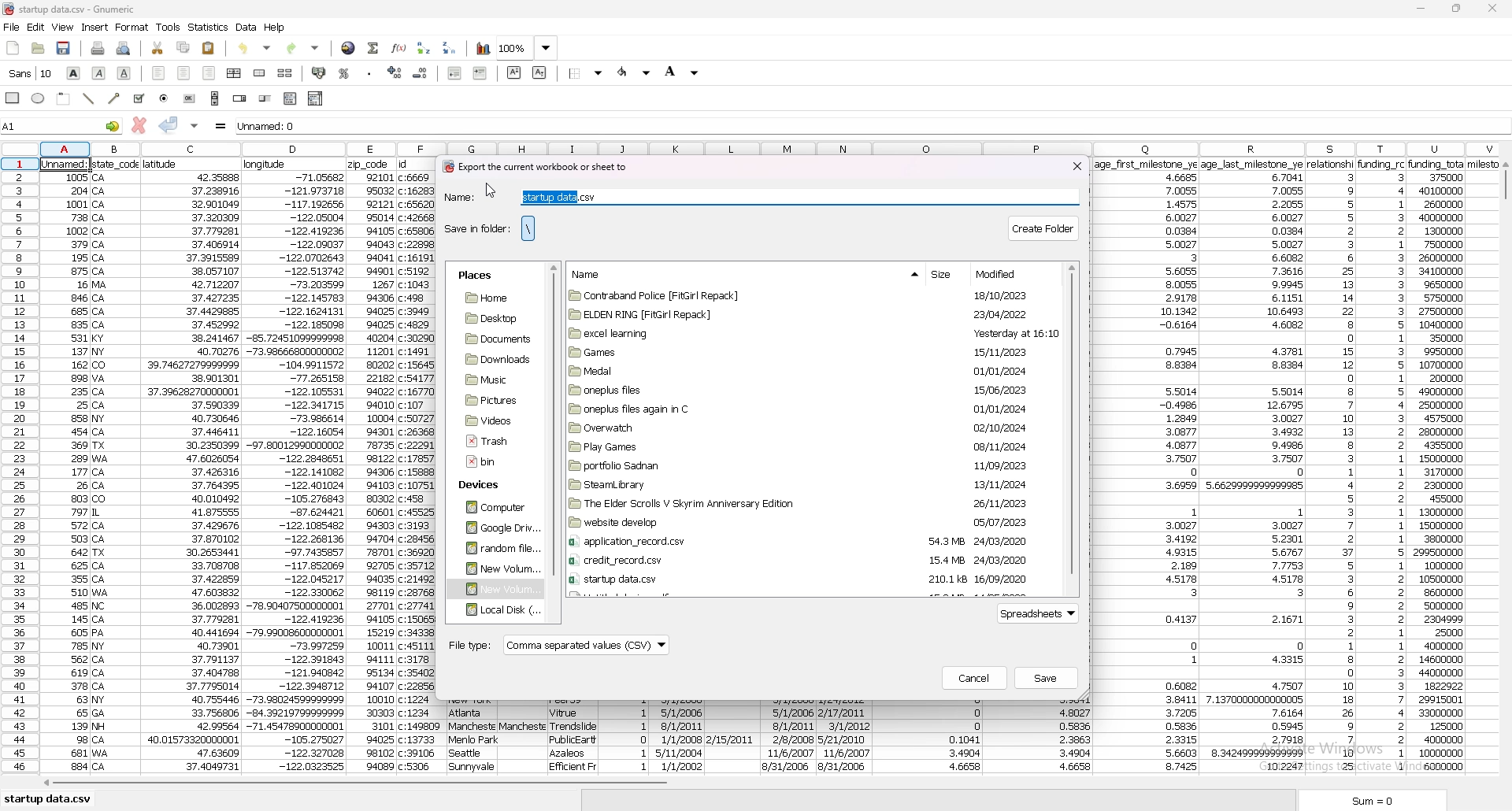 The width and height of the screenshot is (1512, 811). I want to click on selected cell, so click(61, 125).